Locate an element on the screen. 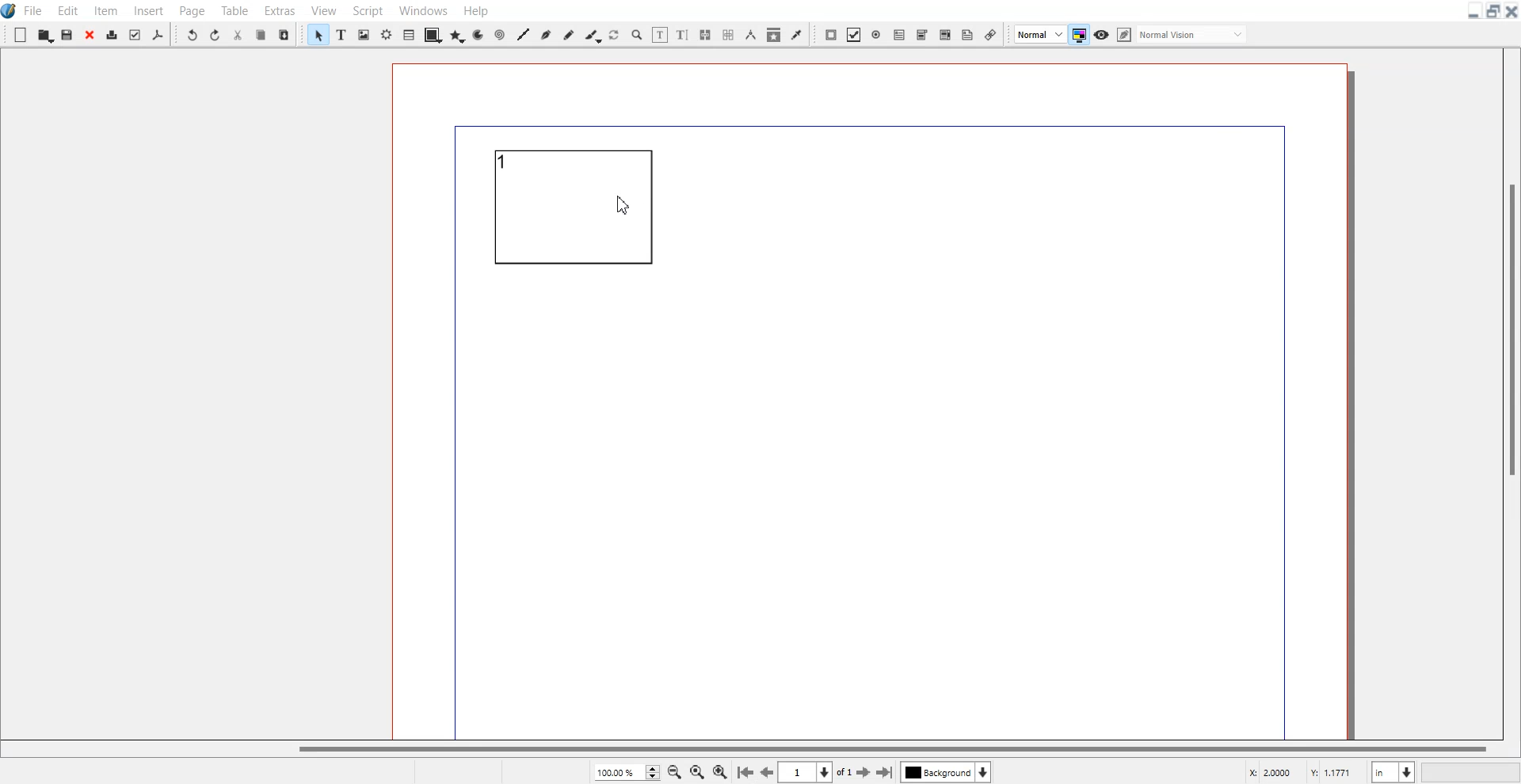  Copy item Properties is located at coordinates (773, 34).